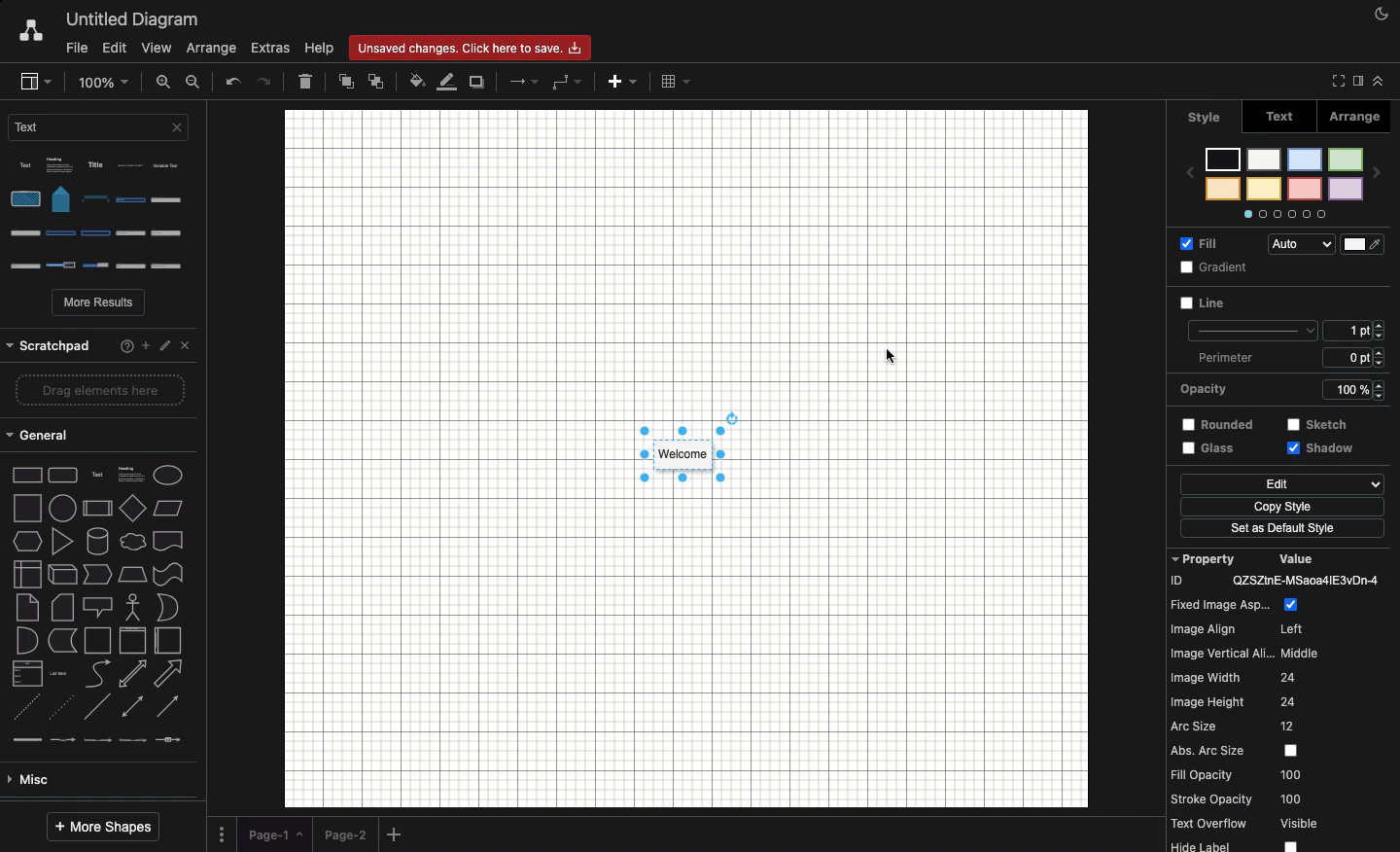 The height and width of the screenshot is (852, 1400). What do you see at coordinates (620, 85) in the screenshot?
I see `Add` at bounding box center [620, 85].